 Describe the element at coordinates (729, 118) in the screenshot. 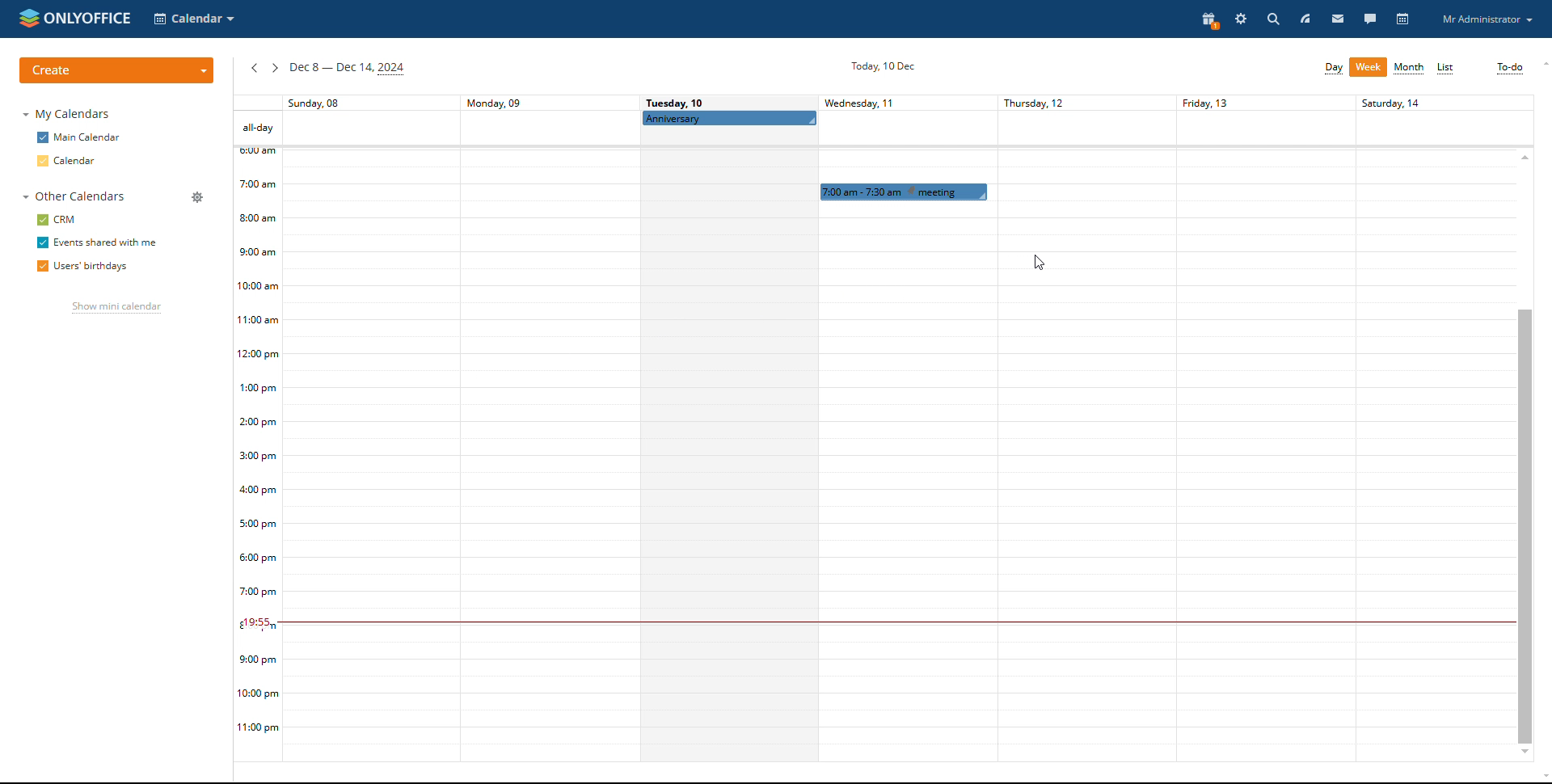

I see `scheduled all-day event` at that location.